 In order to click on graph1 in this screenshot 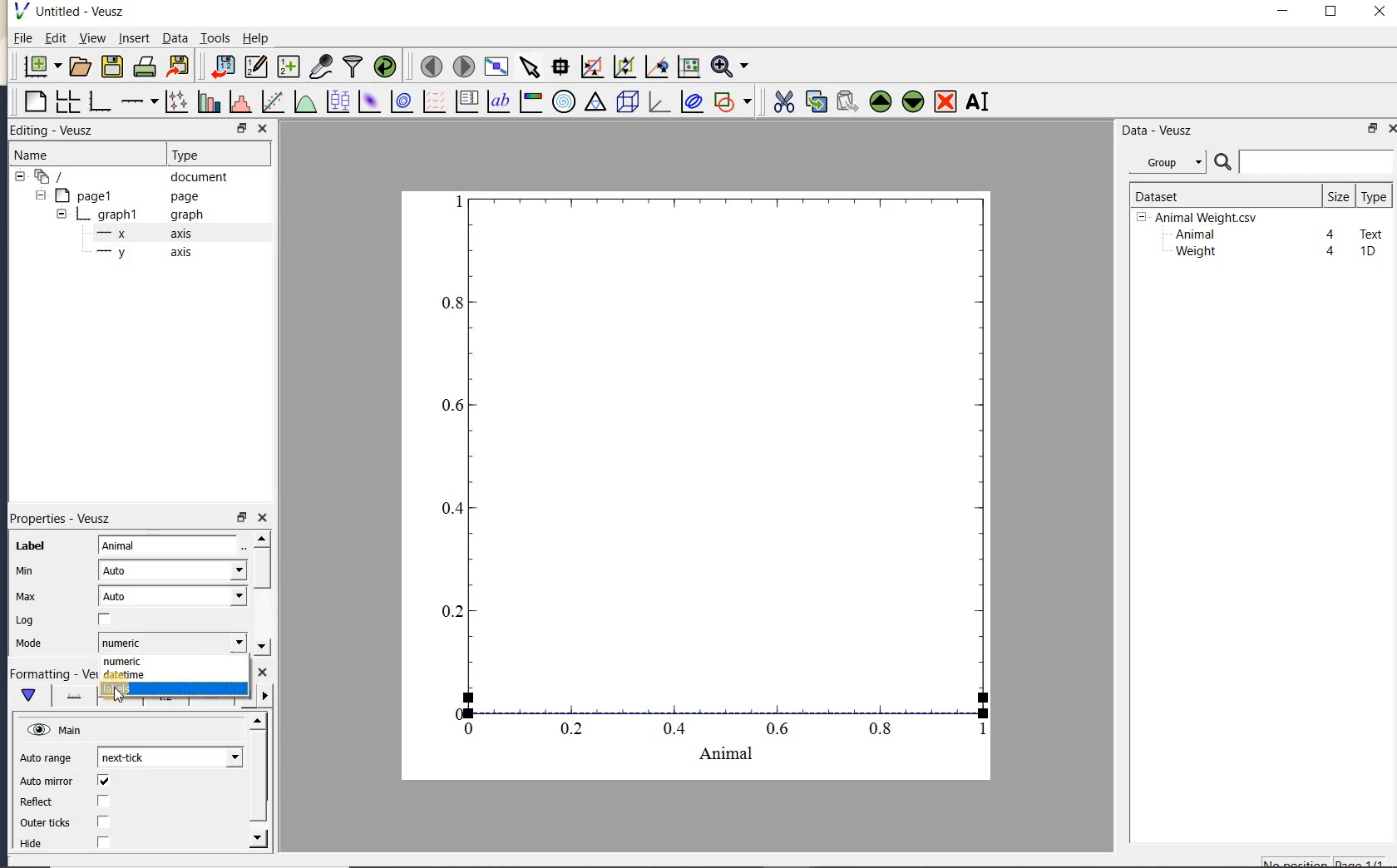, I will do `click(122, 216)`.